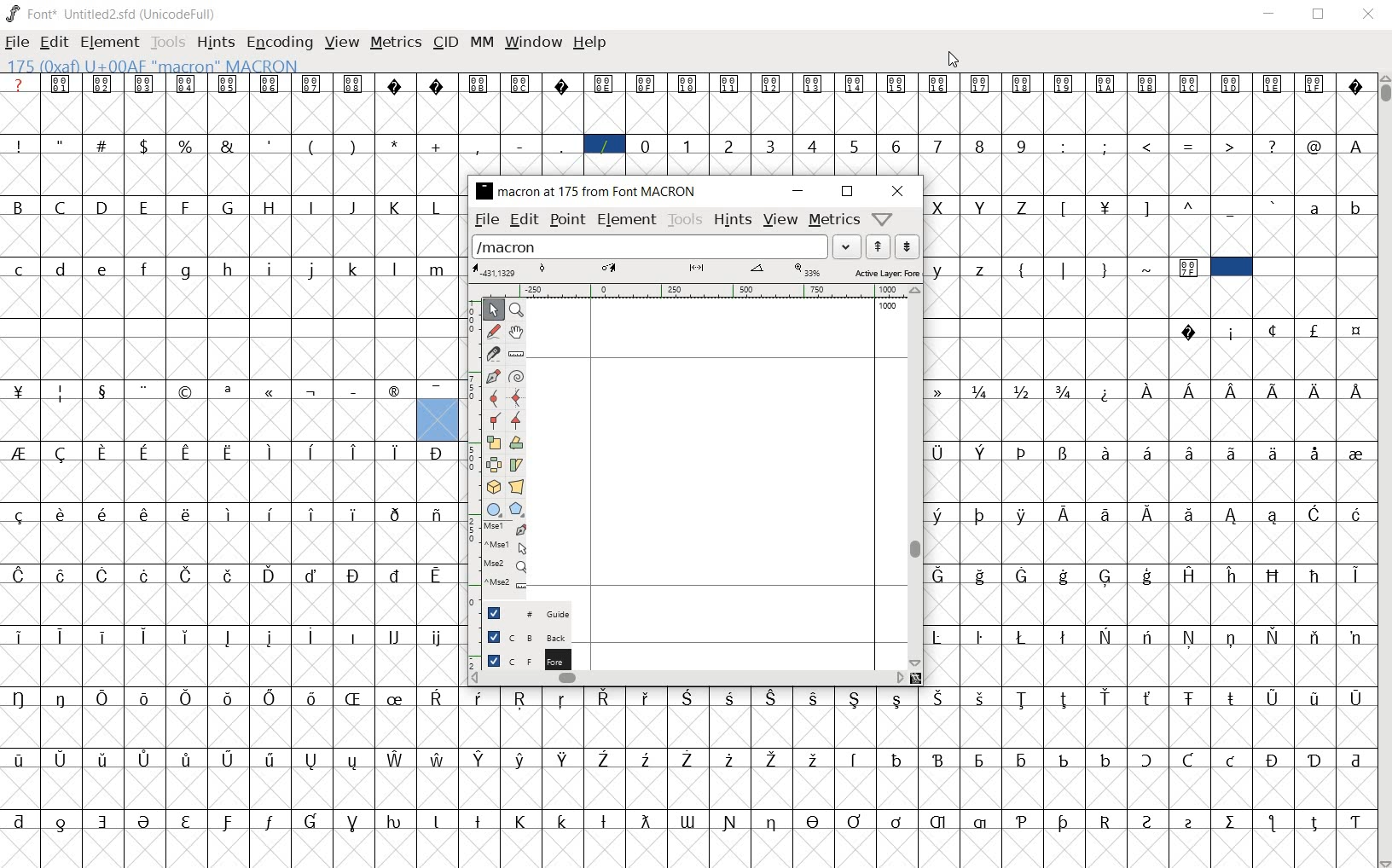 The width and height of the screenshot is (1392, 868). What do you see at coordinates (1271, 697) in the screenshot?
I see `` at bounding box center [1271, 697].